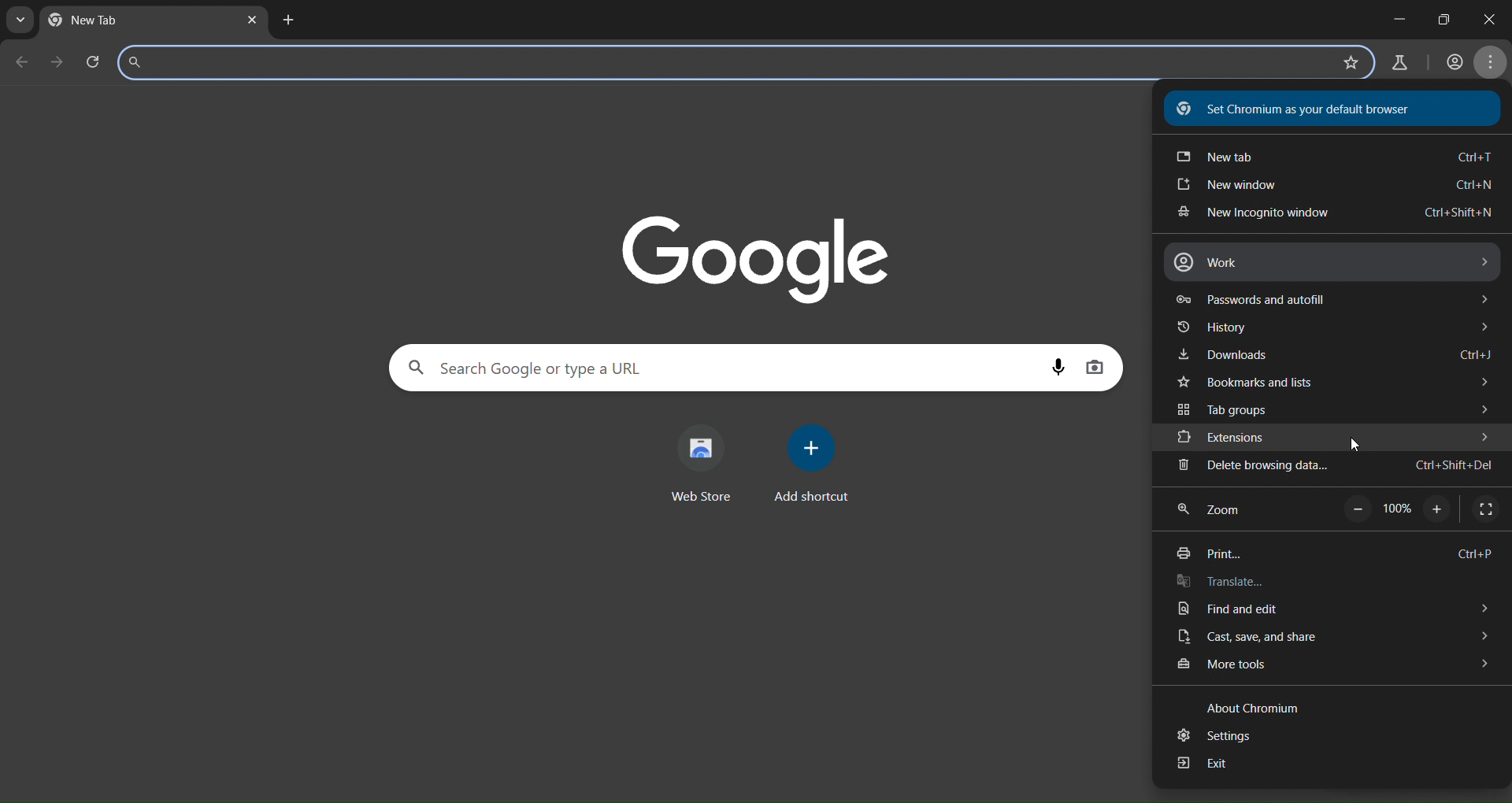 This screenshot has height=803, width=1512. I want to click on search panel, so click(239, 61).